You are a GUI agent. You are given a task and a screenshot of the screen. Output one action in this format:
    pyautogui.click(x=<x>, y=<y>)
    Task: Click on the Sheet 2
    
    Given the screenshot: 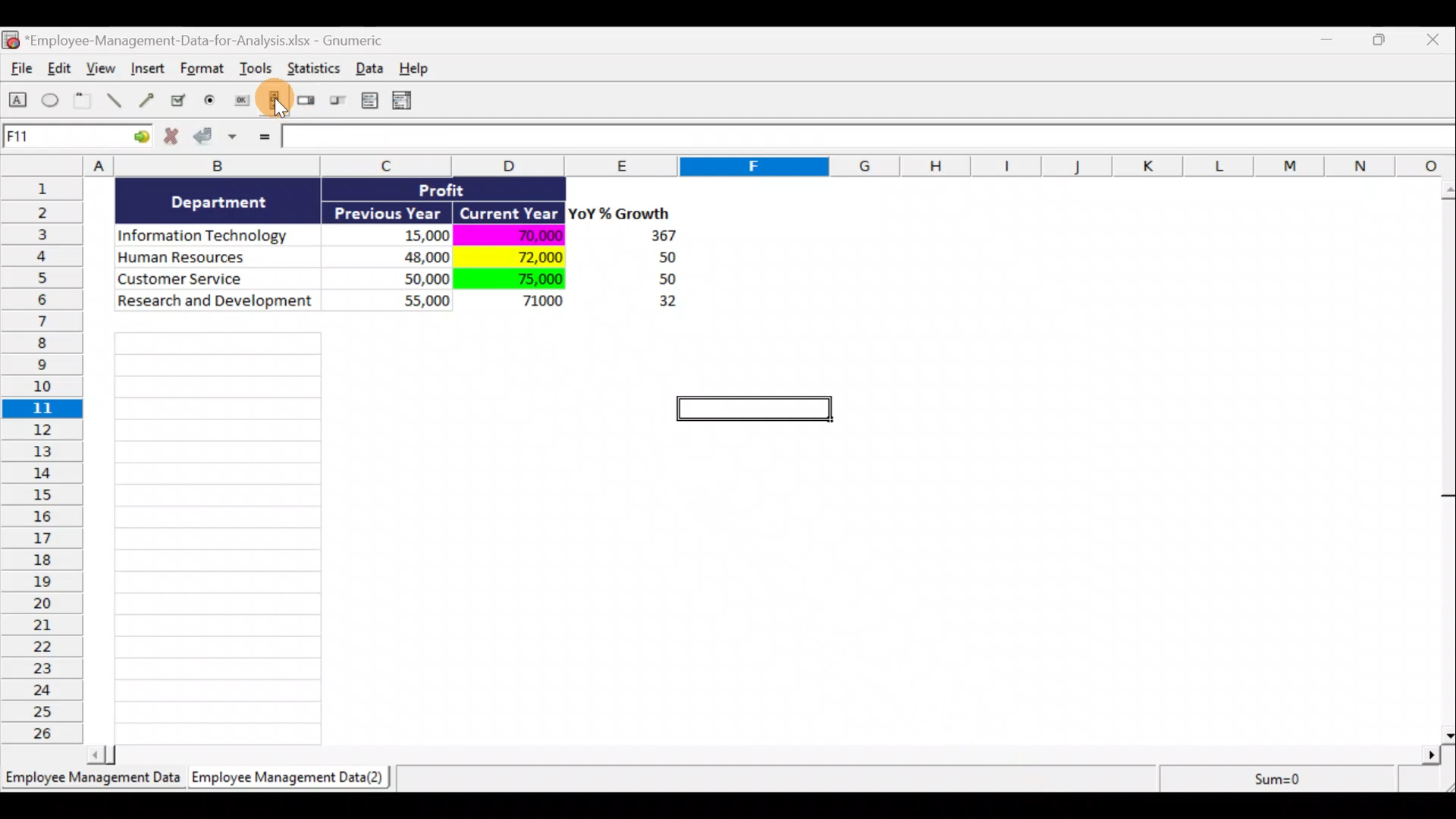 What is the action you would take?
    pyautogui.click(x=292, y=781)
    